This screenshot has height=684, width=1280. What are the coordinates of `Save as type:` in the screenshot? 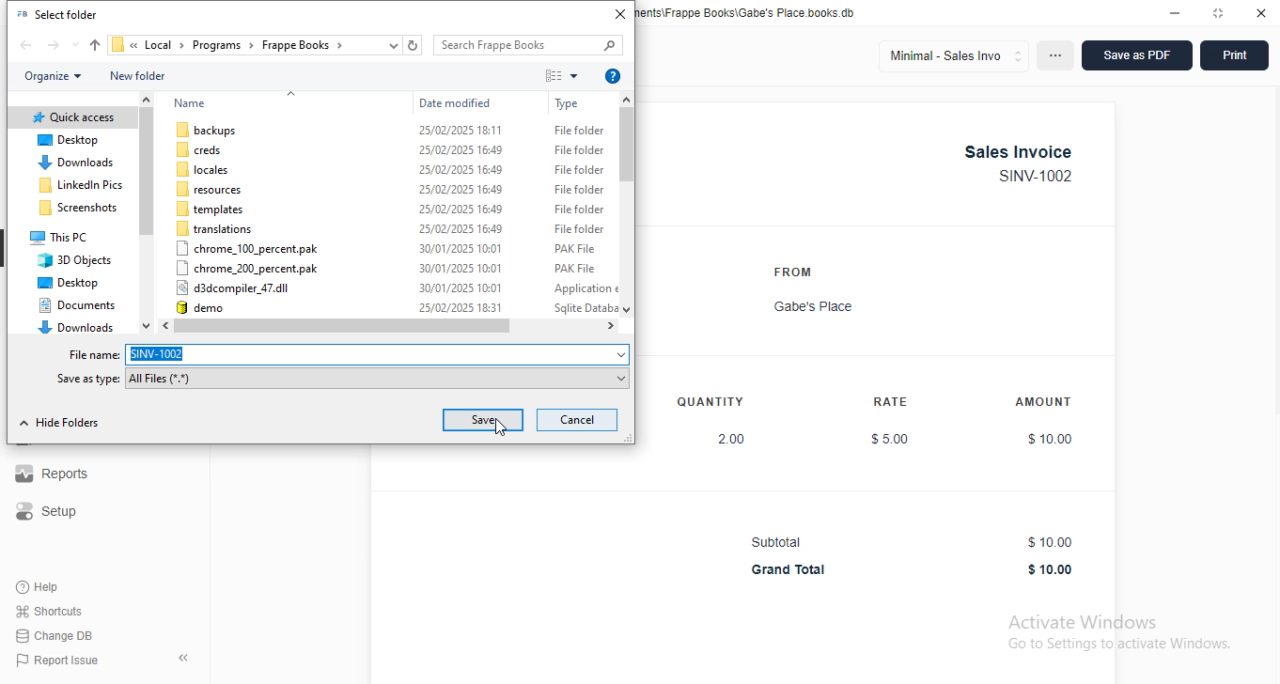 It's located at (88, 379).